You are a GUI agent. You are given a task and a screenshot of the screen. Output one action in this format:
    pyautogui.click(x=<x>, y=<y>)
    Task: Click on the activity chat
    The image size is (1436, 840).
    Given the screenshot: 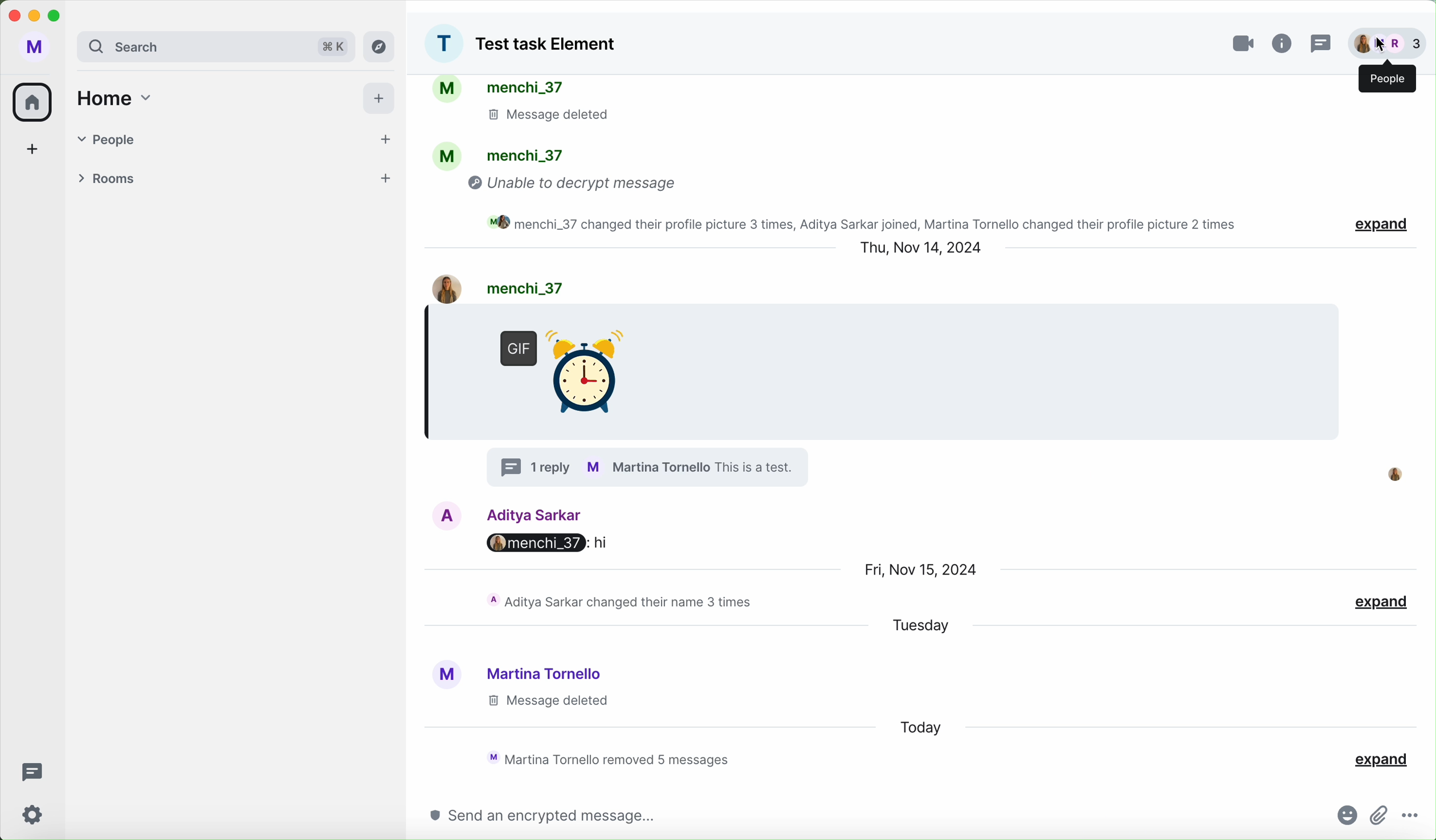 What is the action you would take?
    pyautogui.click(x=614, y=758)
    